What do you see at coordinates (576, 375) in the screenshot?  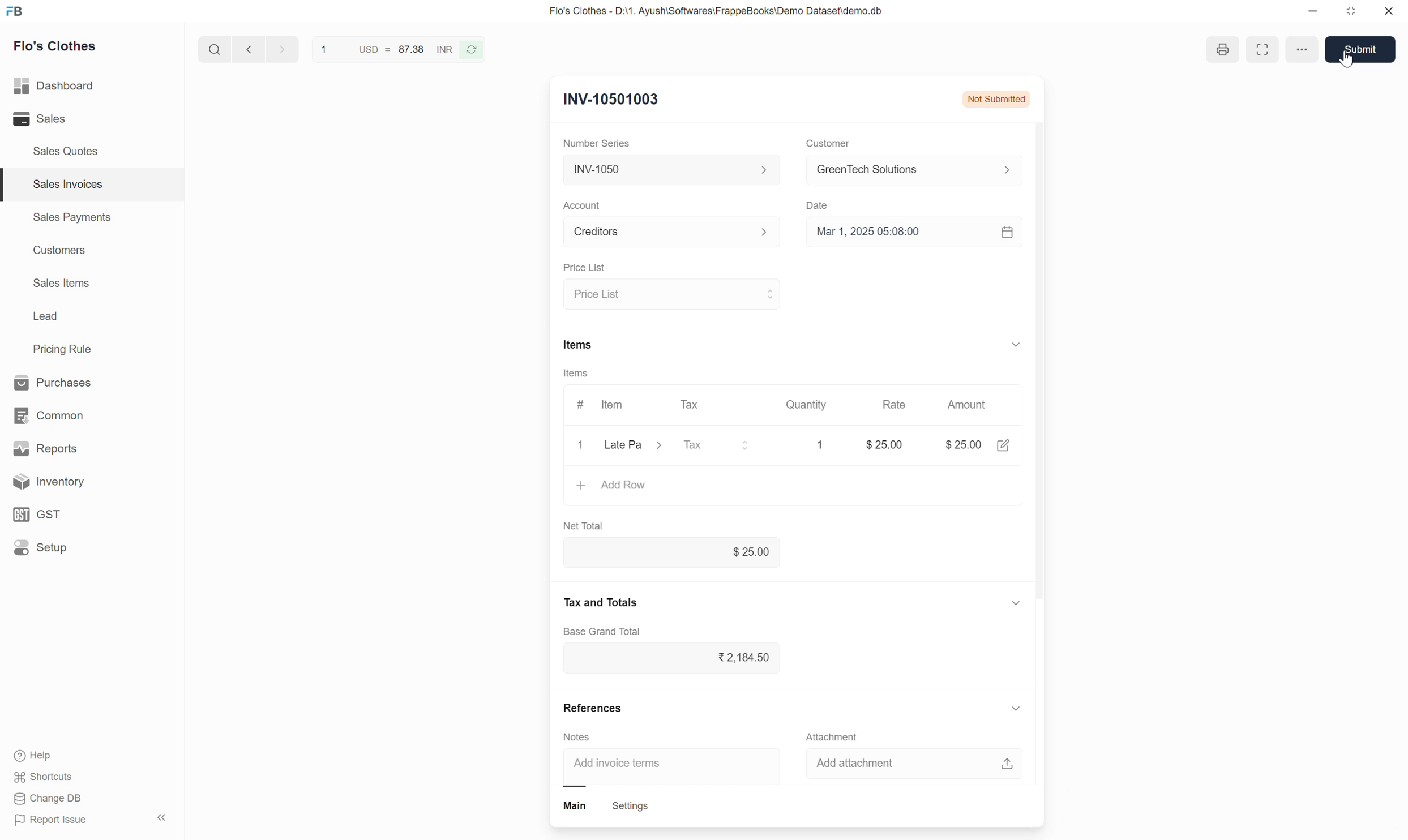 I see `Items` at bounding box center [576, 375].